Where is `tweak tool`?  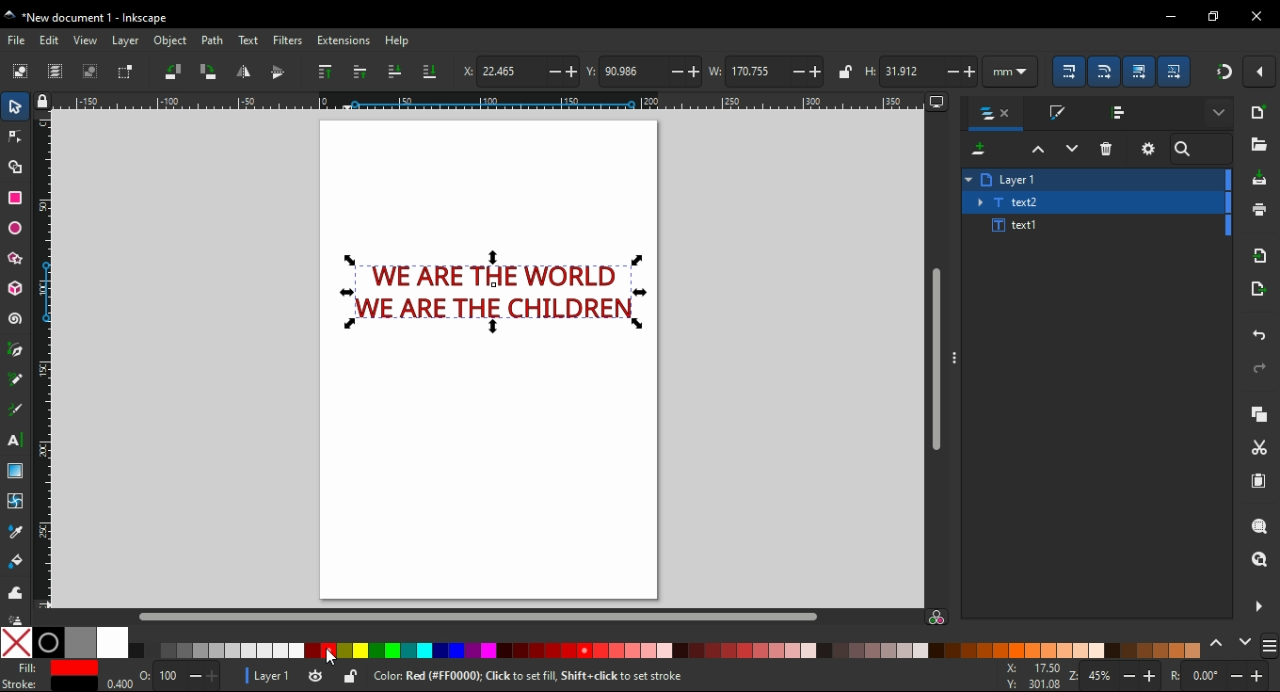
tweak tool is located at coordinates (16, 590).